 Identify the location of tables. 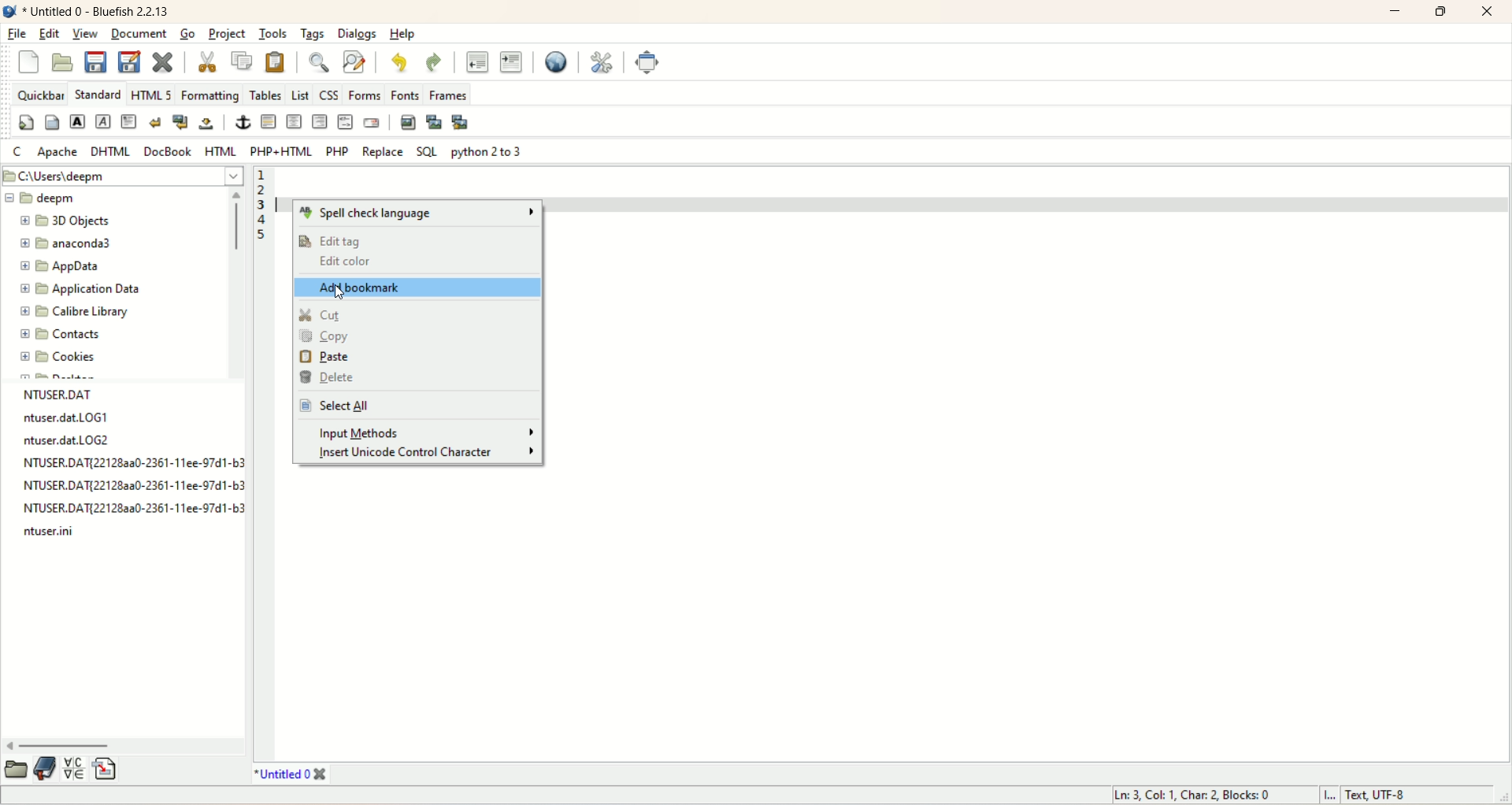
(266, 94).